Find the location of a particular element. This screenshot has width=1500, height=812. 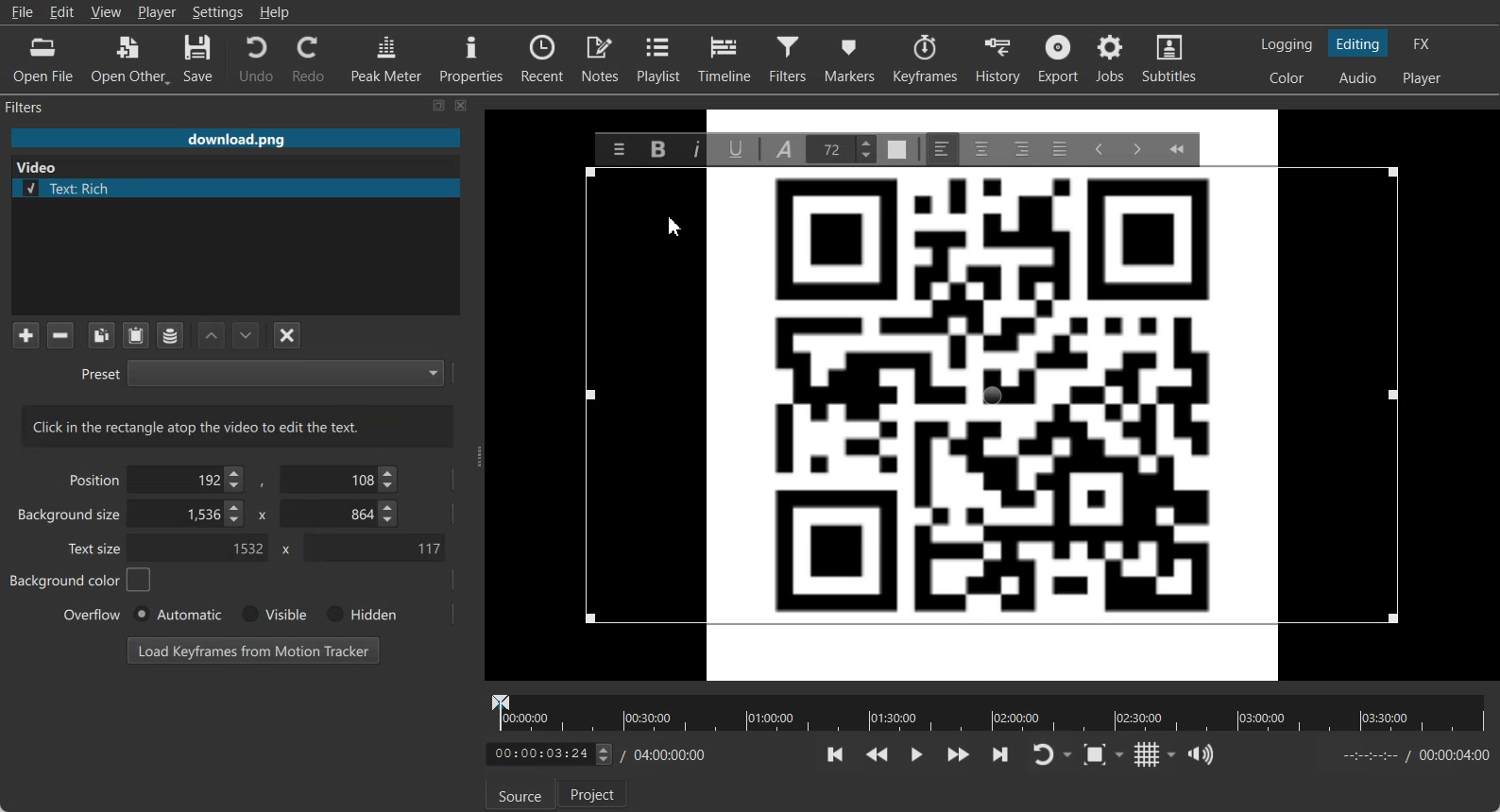

, is located at coordinates (264, 483).